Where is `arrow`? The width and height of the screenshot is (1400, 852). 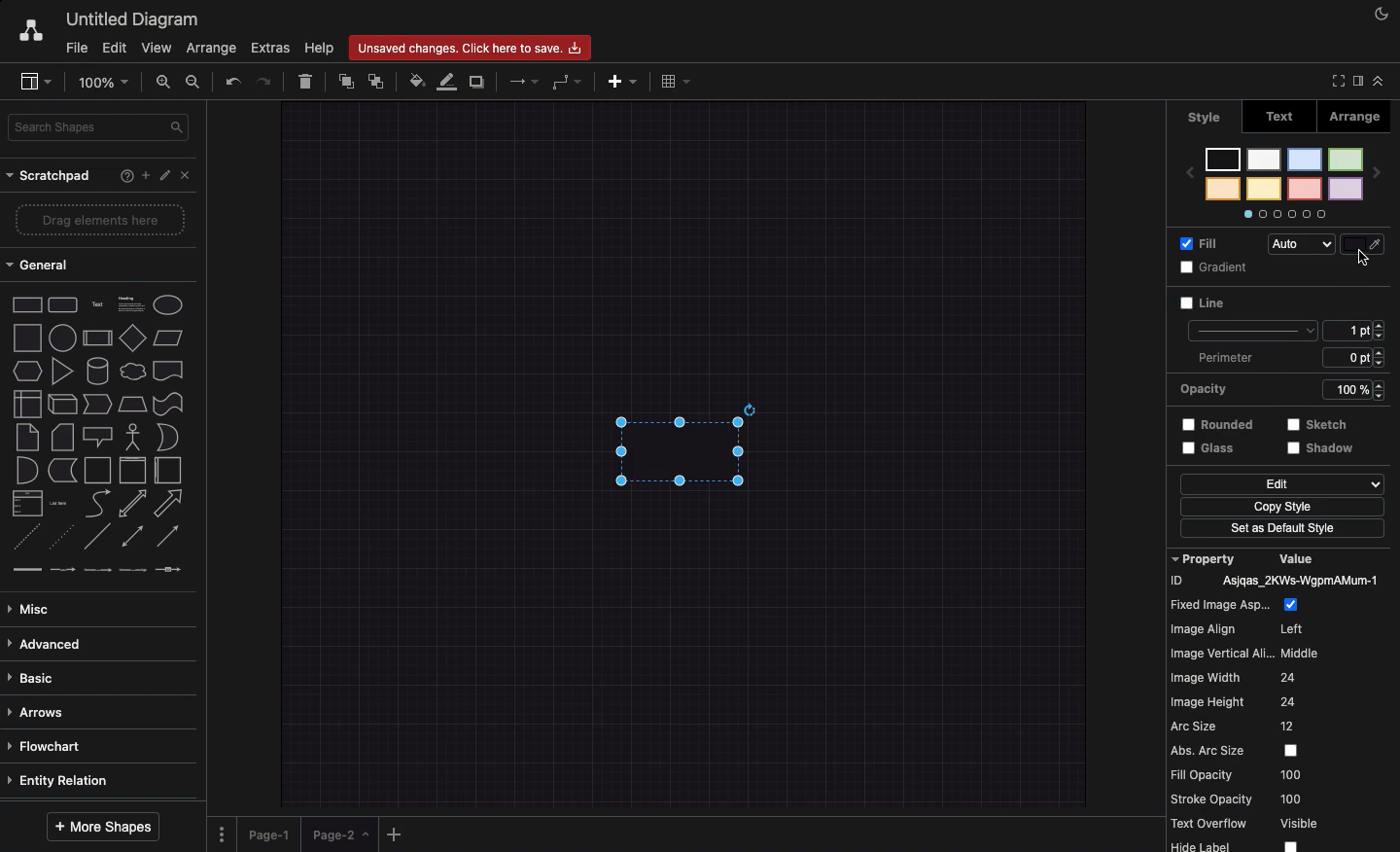
arrow is located at coordinates (172, 503).